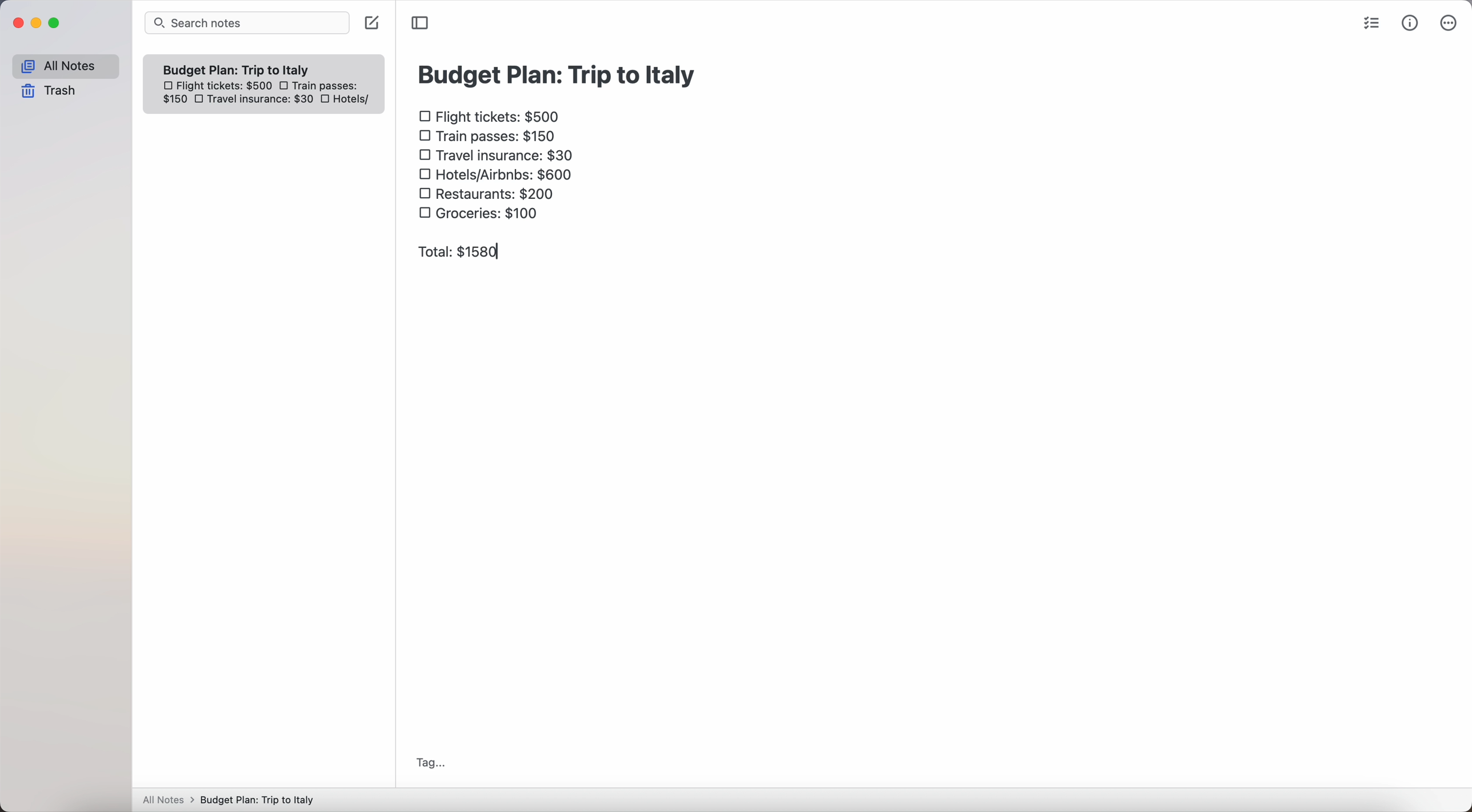 The height and width of the screenshot is (812, 1472). I want to click on more options, so click(1449, 23).